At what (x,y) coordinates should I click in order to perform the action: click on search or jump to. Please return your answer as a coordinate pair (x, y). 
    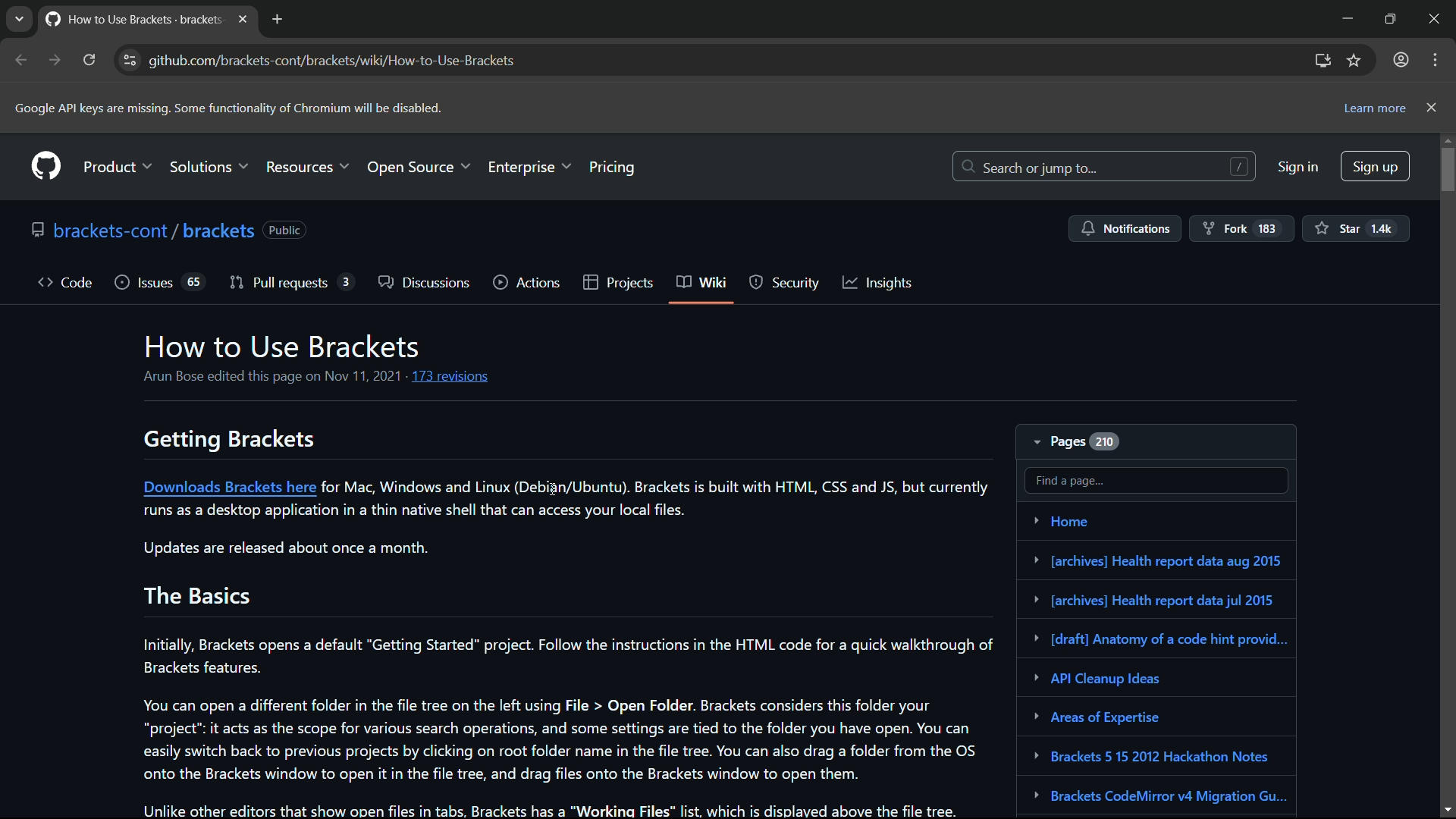
    Looking at the image, I should click on (1105, 167).